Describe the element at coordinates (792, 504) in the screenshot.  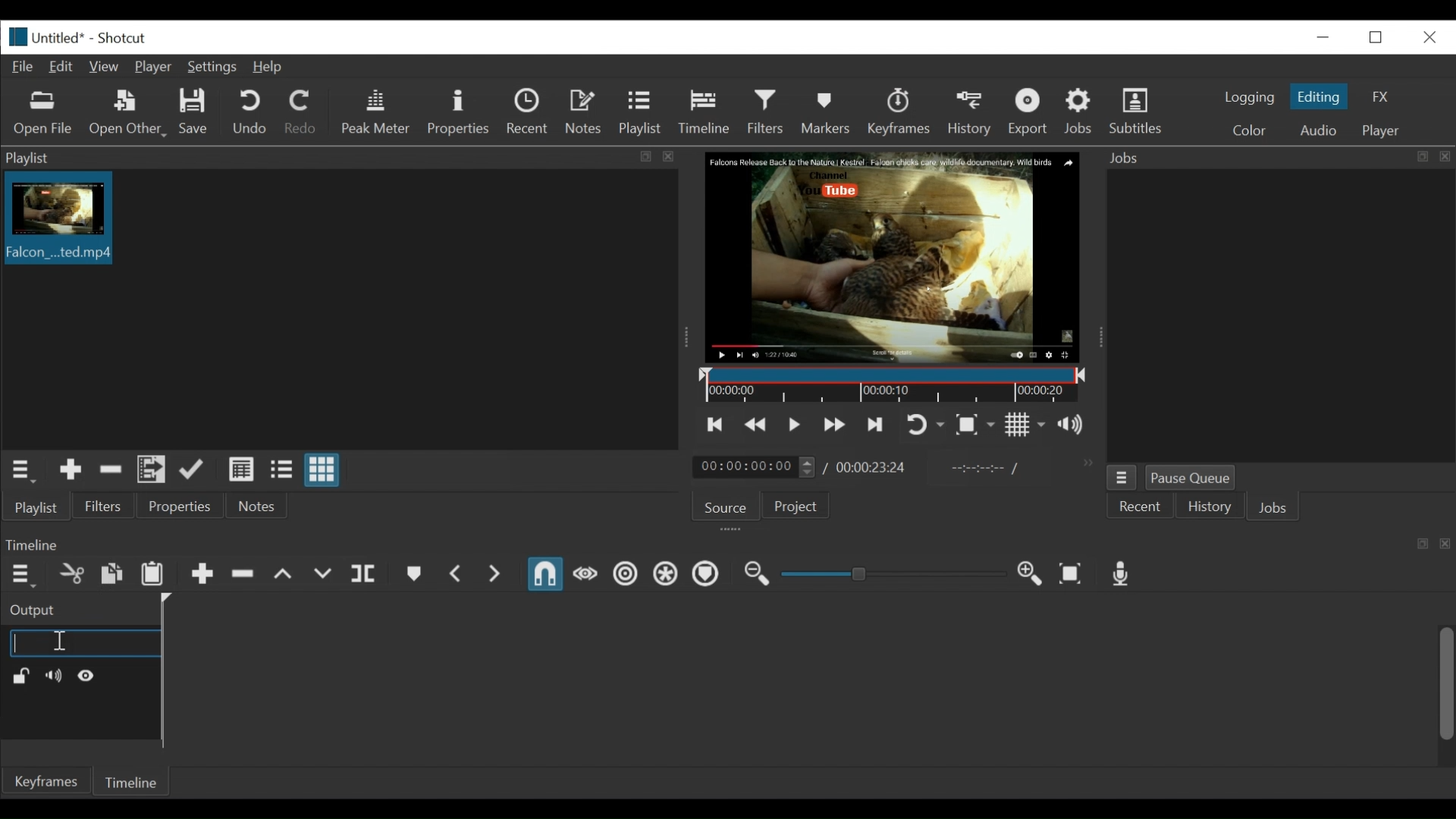
I see `Project` at that location.